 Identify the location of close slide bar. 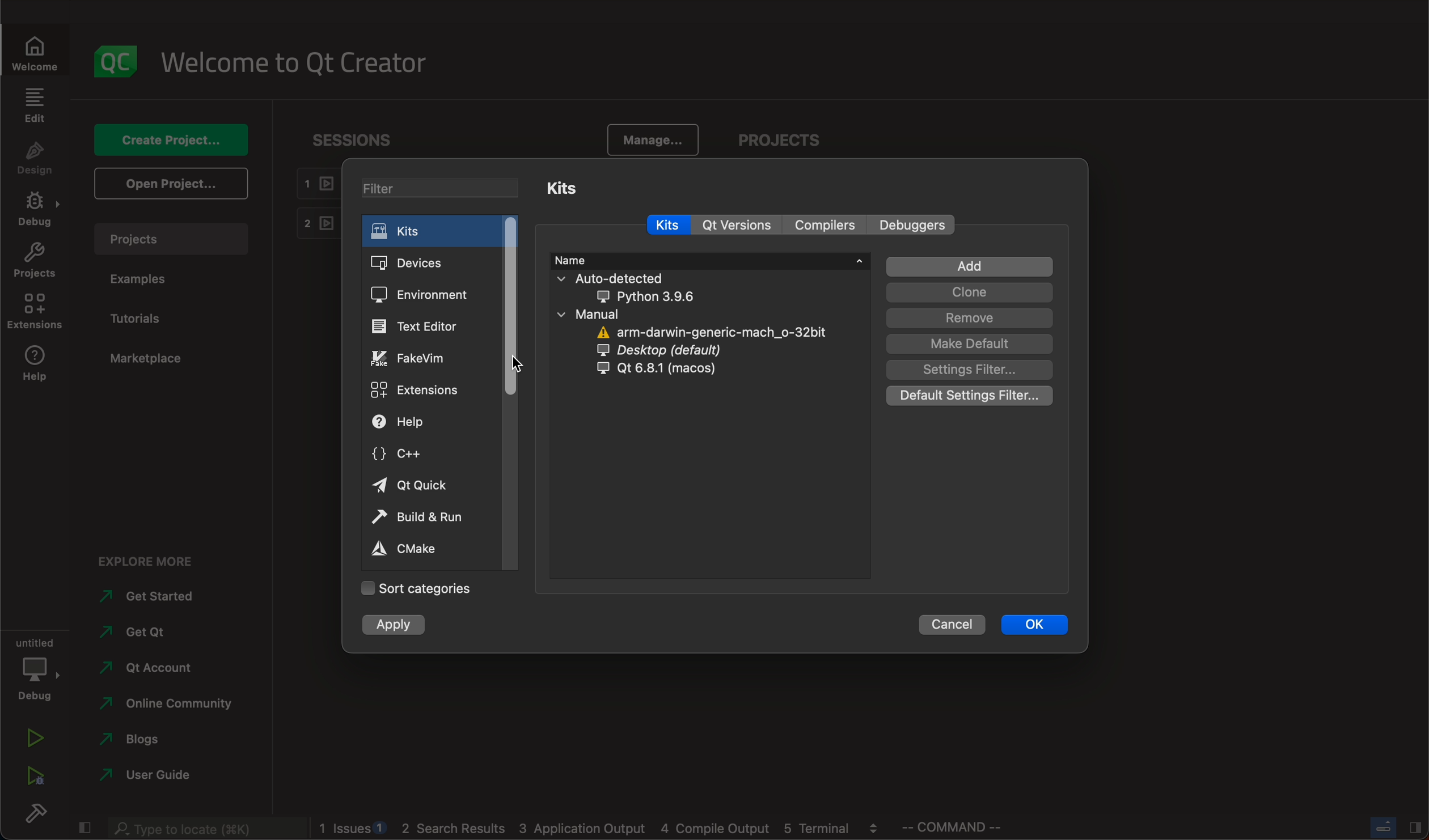
(83, 829).